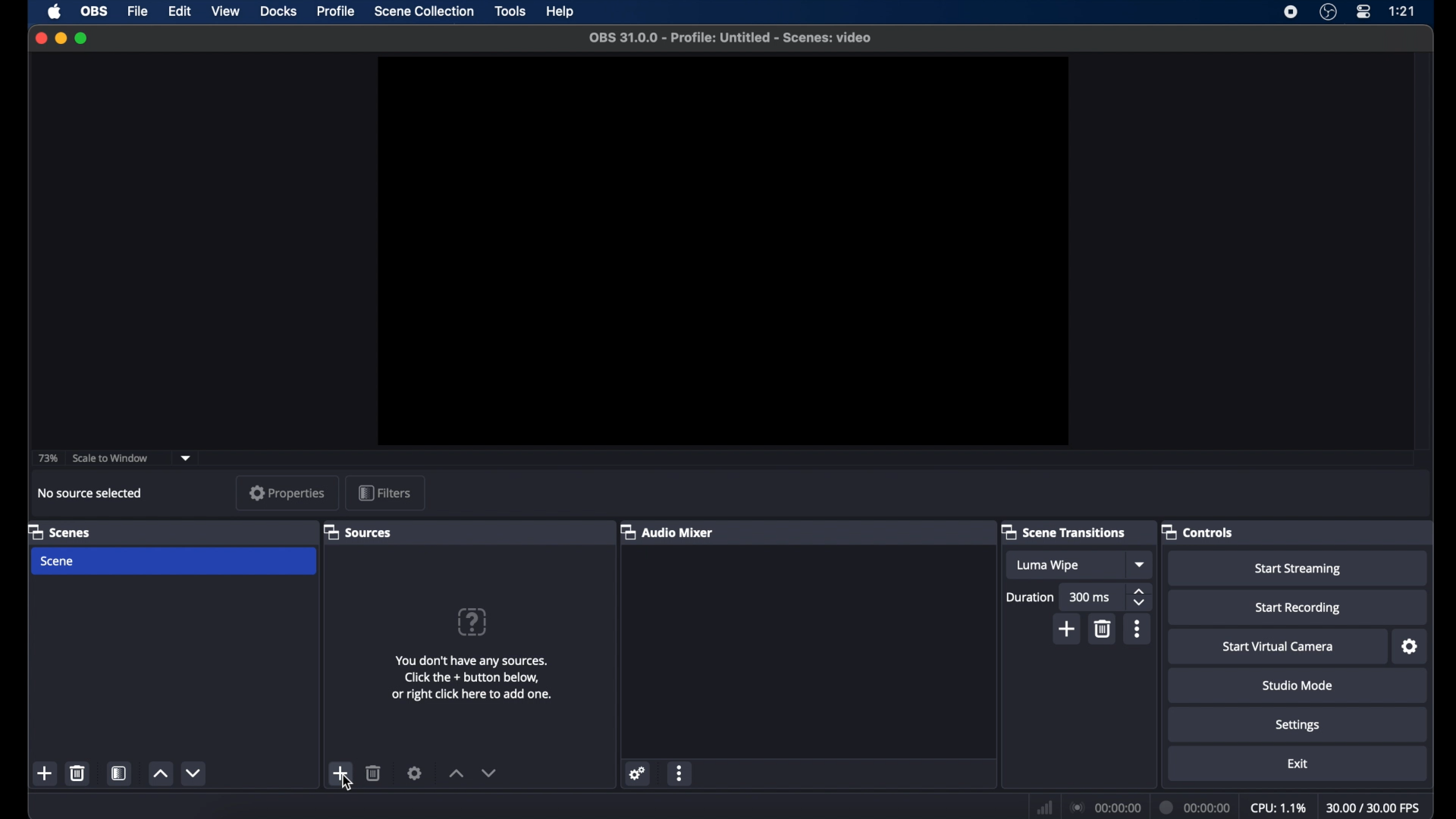 This screenshot has height=819, width=1456. What do you see at coordinates (92, 492) in the screenshot?
I see `no source selected` at bounding box center [92, 492].